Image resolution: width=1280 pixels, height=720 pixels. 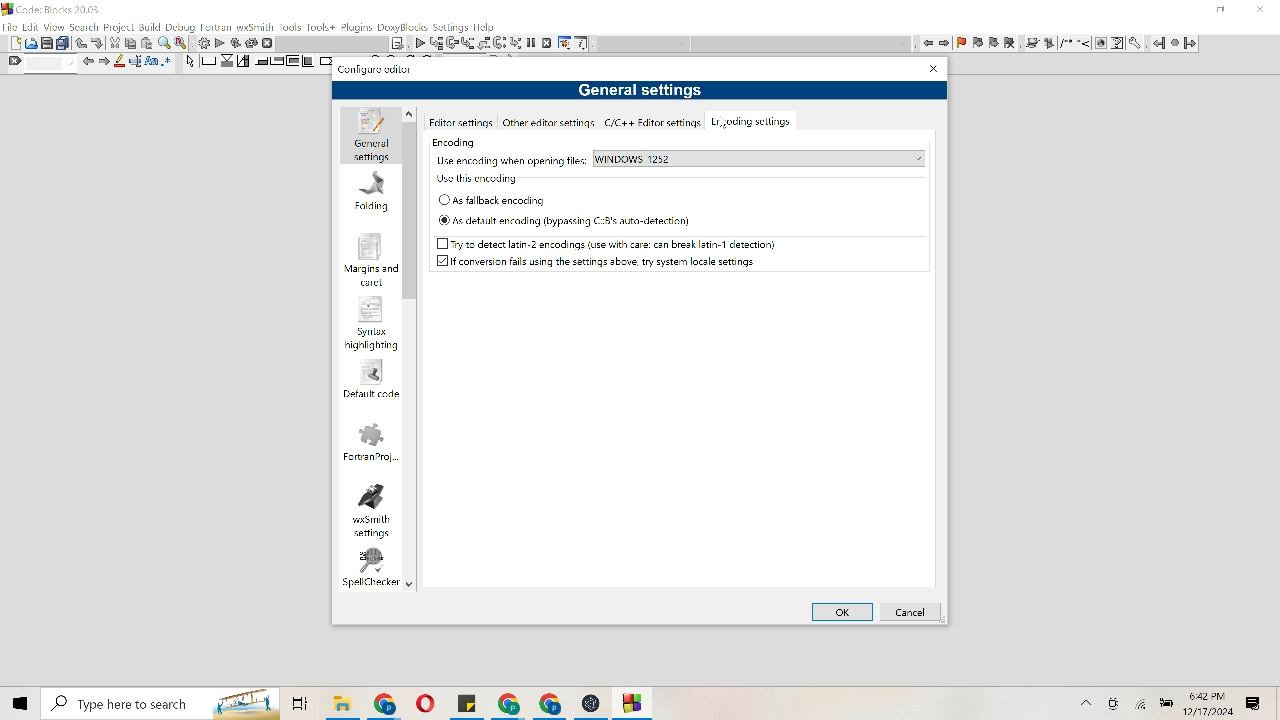 I want to click on More, so click(x=1087, y=703).